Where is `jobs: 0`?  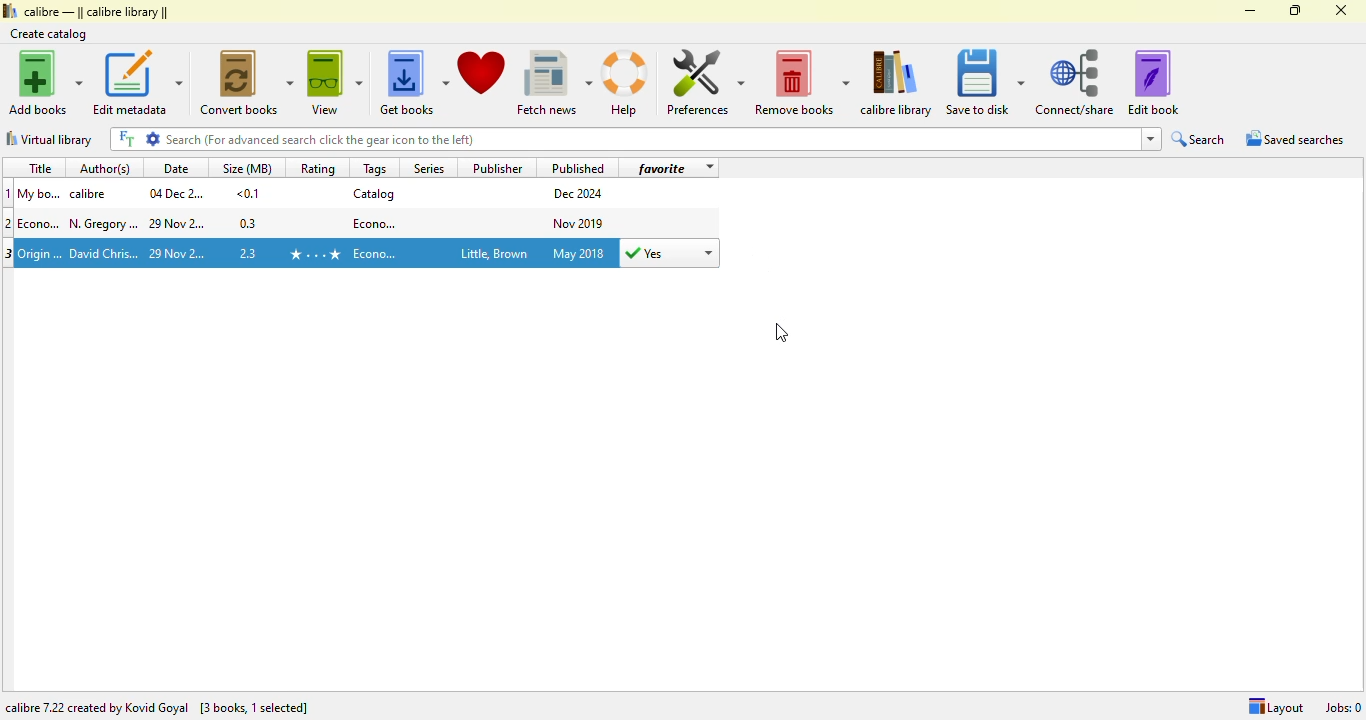 jobs: 0 is located at coordinates (1343, 707).